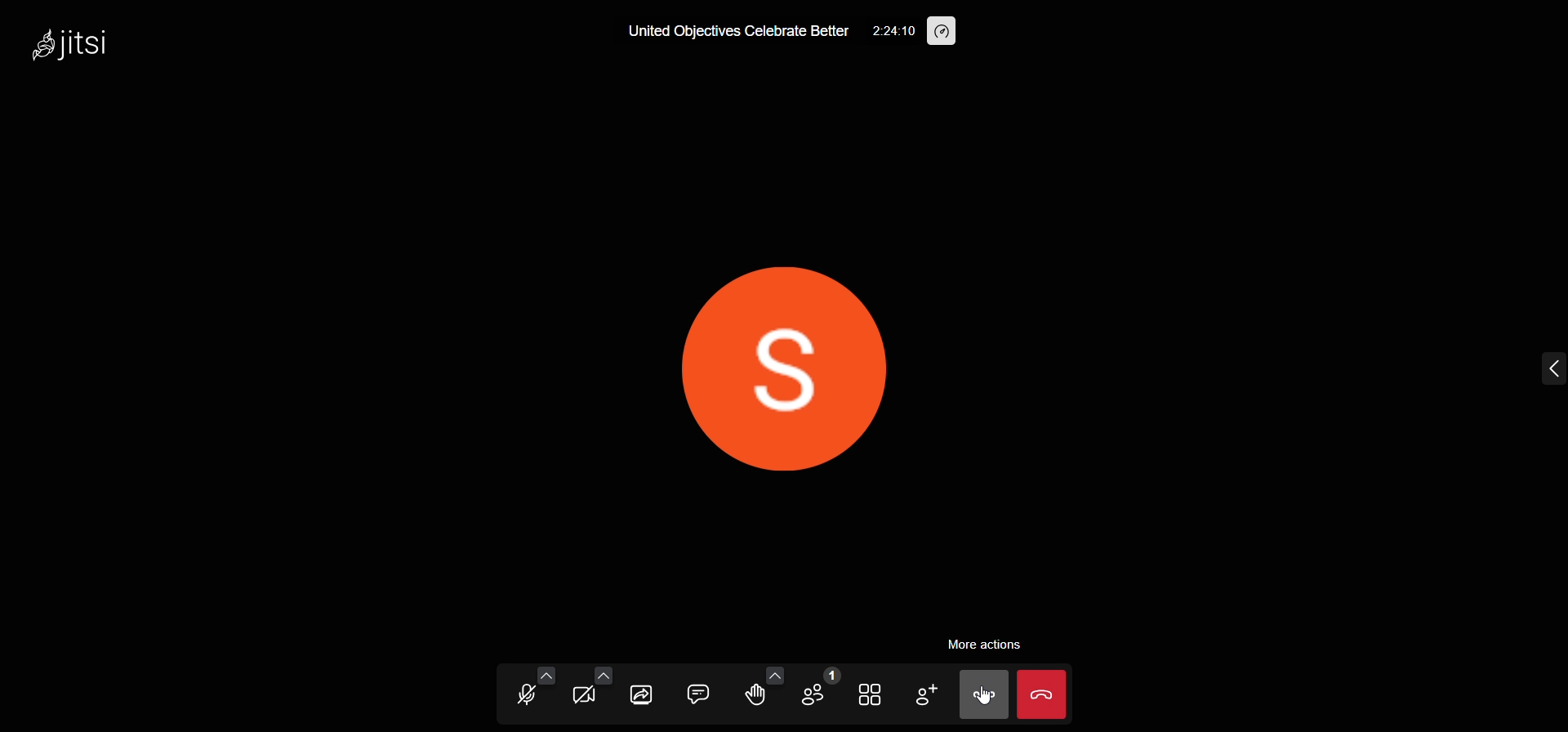 This screenshot has height=732, width=1568. I want to click on raise hand, so click(753, 695).